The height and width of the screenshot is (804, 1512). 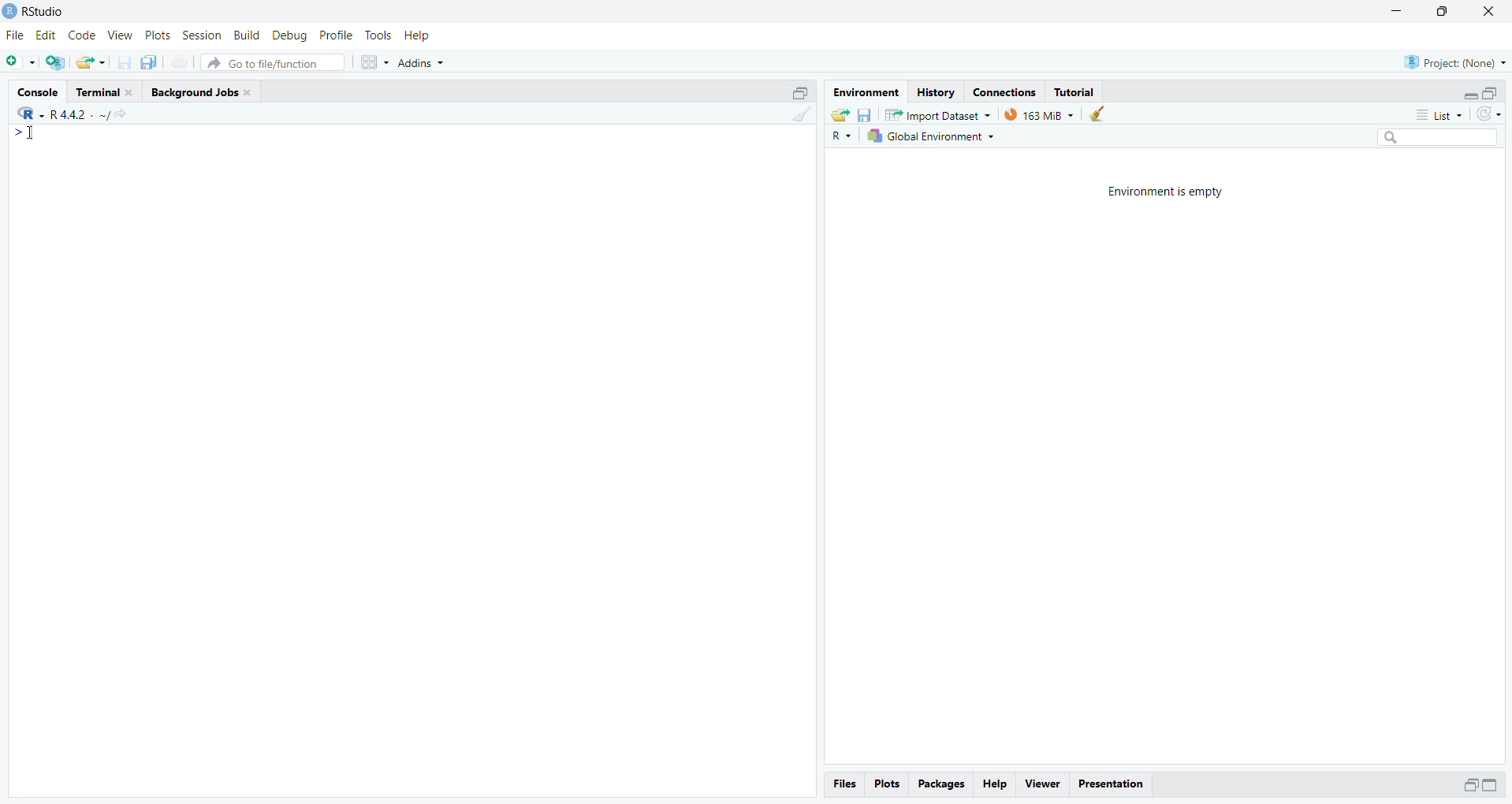 I want to click on minimise, so click(x=1399, y=9).